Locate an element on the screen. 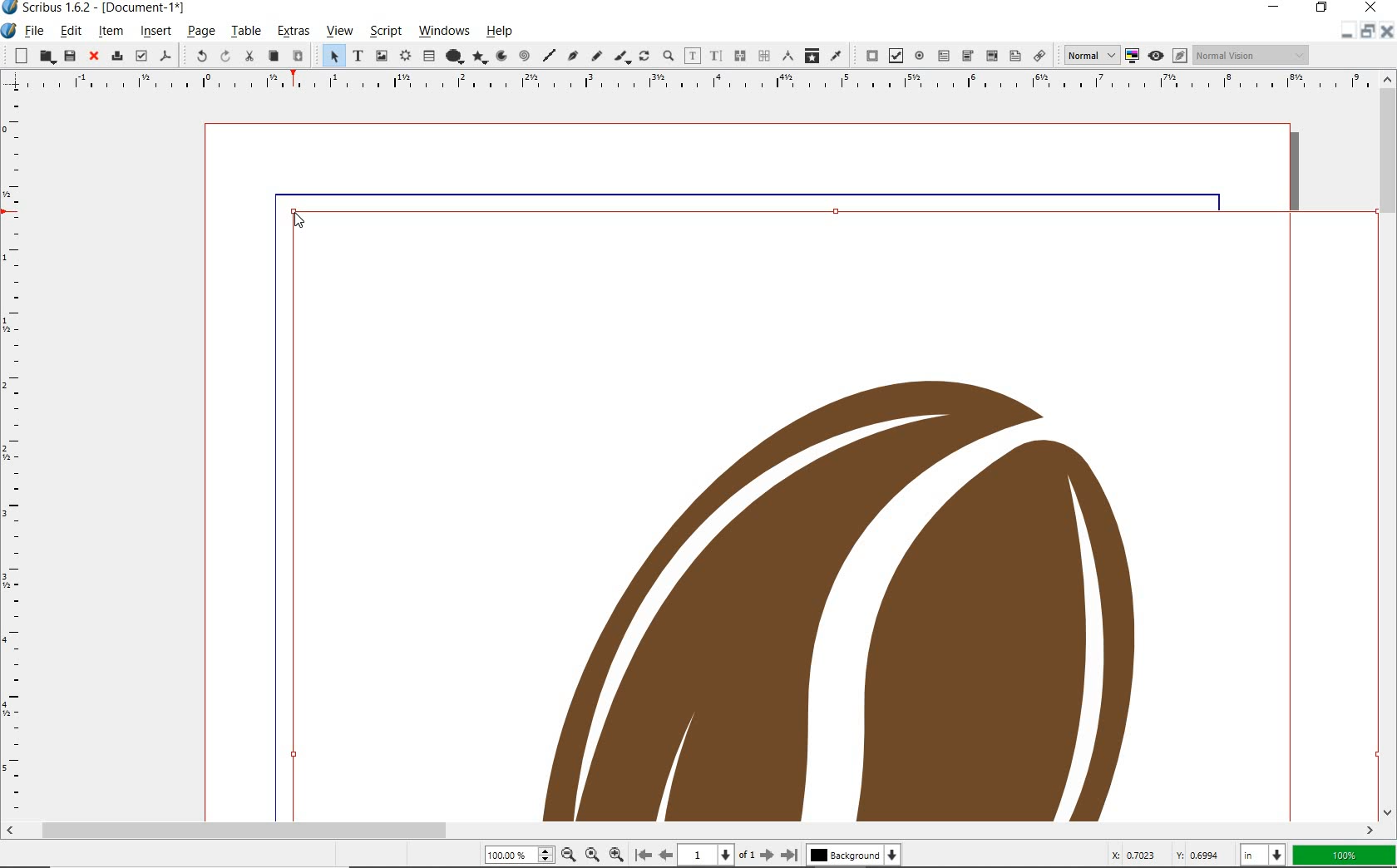 The image size is (1397, 868). image frame is located at coordinates (380, 57).